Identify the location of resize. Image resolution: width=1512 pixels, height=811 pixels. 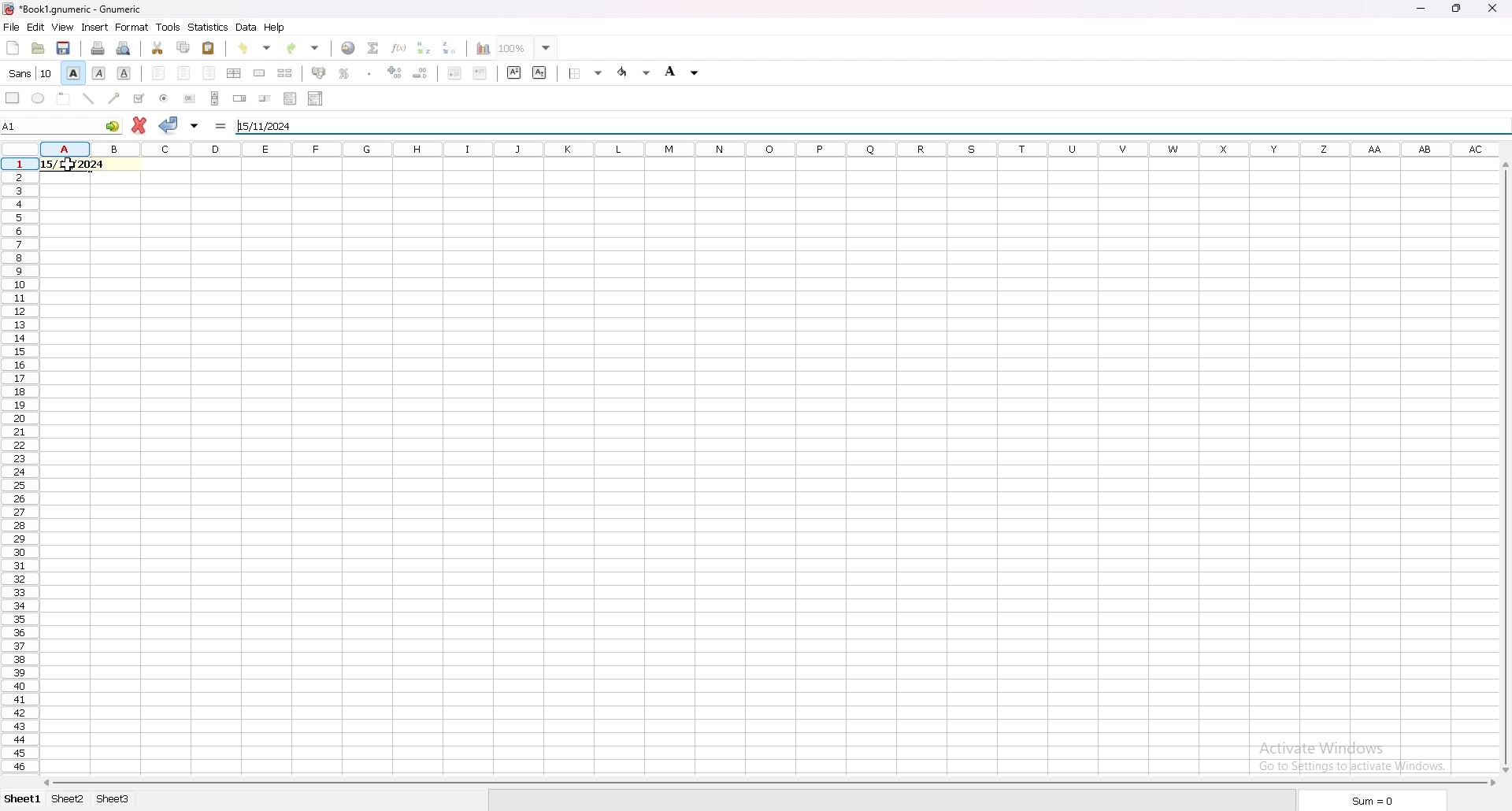
(1456, 9).